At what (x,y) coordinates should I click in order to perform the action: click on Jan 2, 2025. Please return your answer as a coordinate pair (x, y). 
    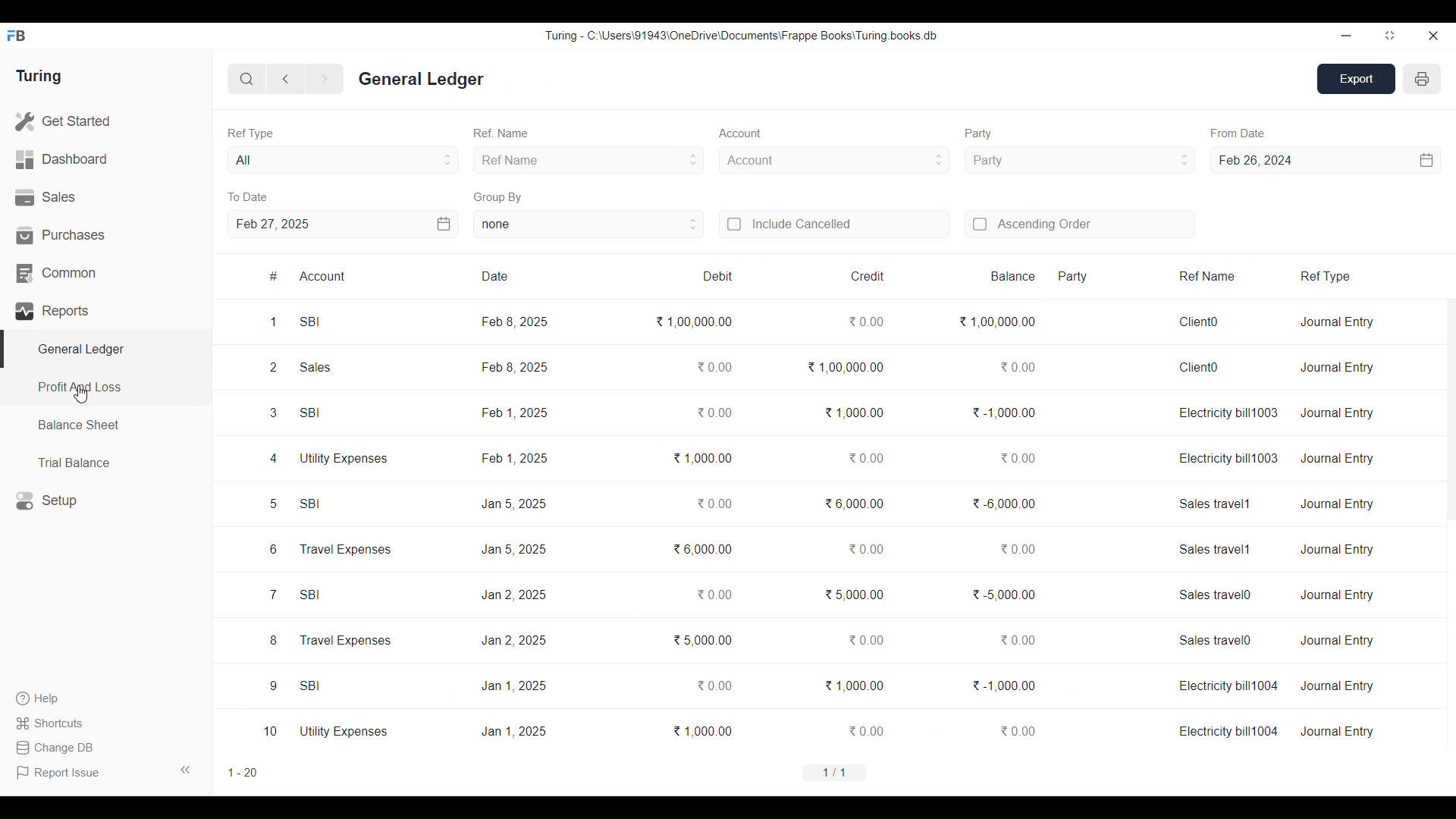
    Looking at the image, I should click on (513, 641).